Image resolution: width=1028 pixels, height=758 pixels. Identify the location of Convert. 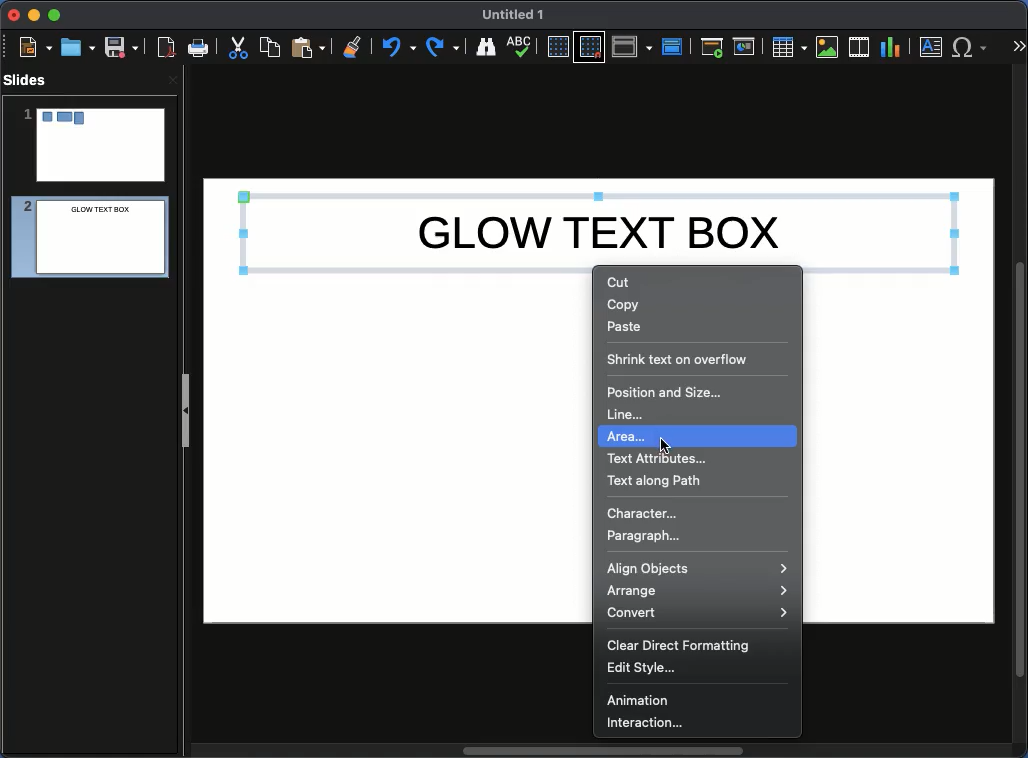
(696, 614).